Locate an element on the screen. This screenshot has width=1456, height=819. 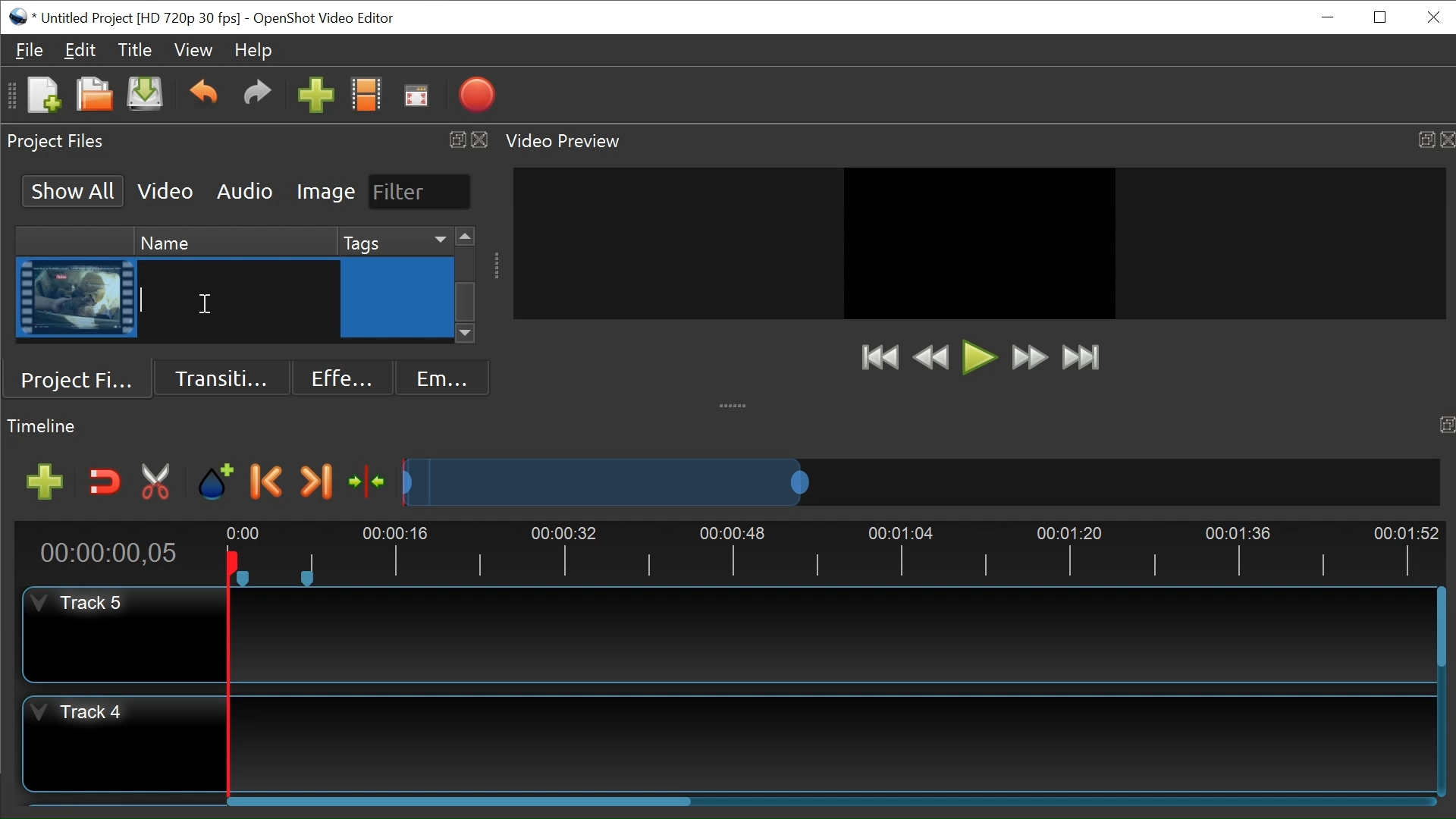
Video is located at coordinates (166, 190).